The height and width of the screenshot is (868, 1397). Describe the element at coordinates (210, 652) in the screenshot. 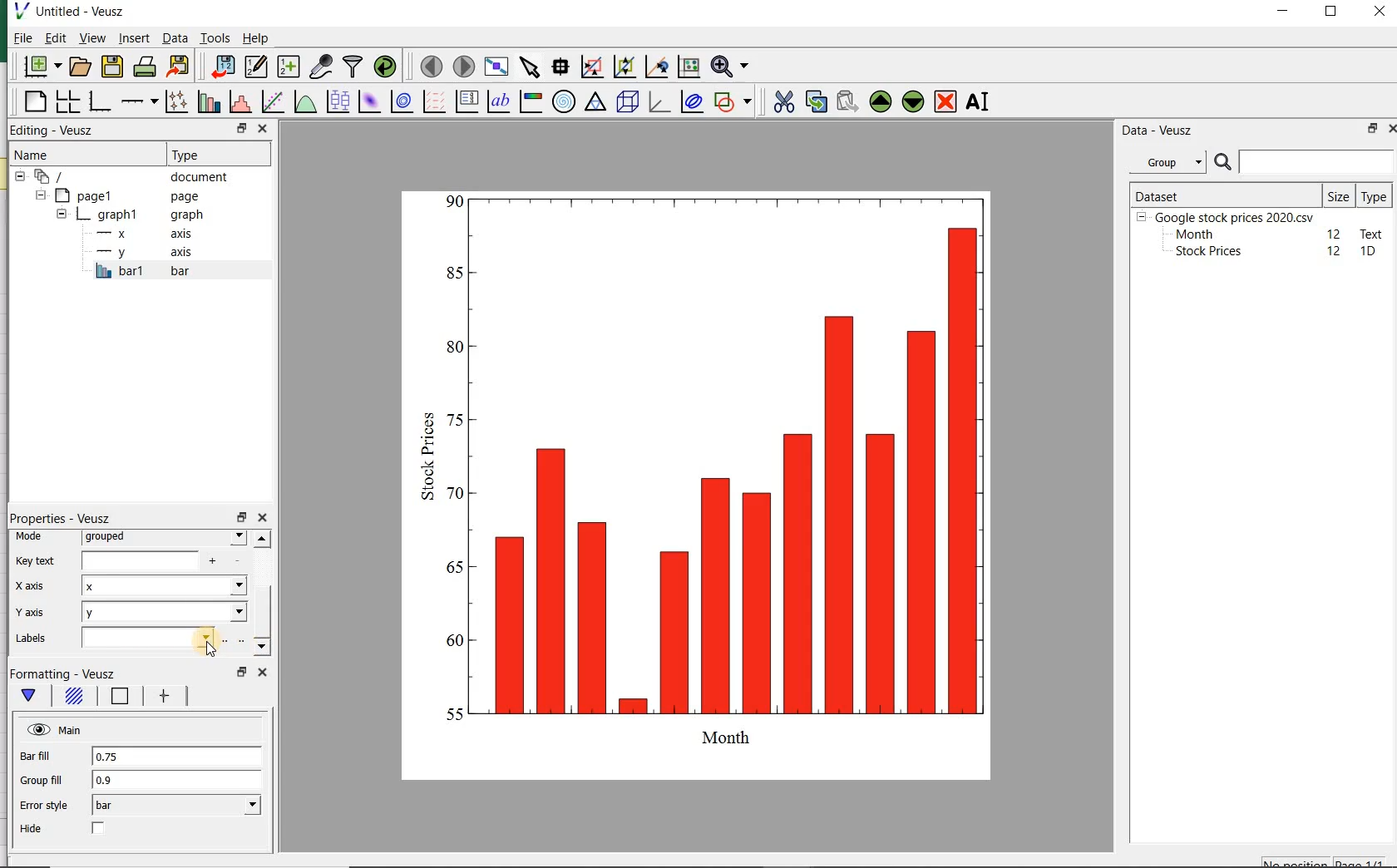

I see `cursor` at that location.